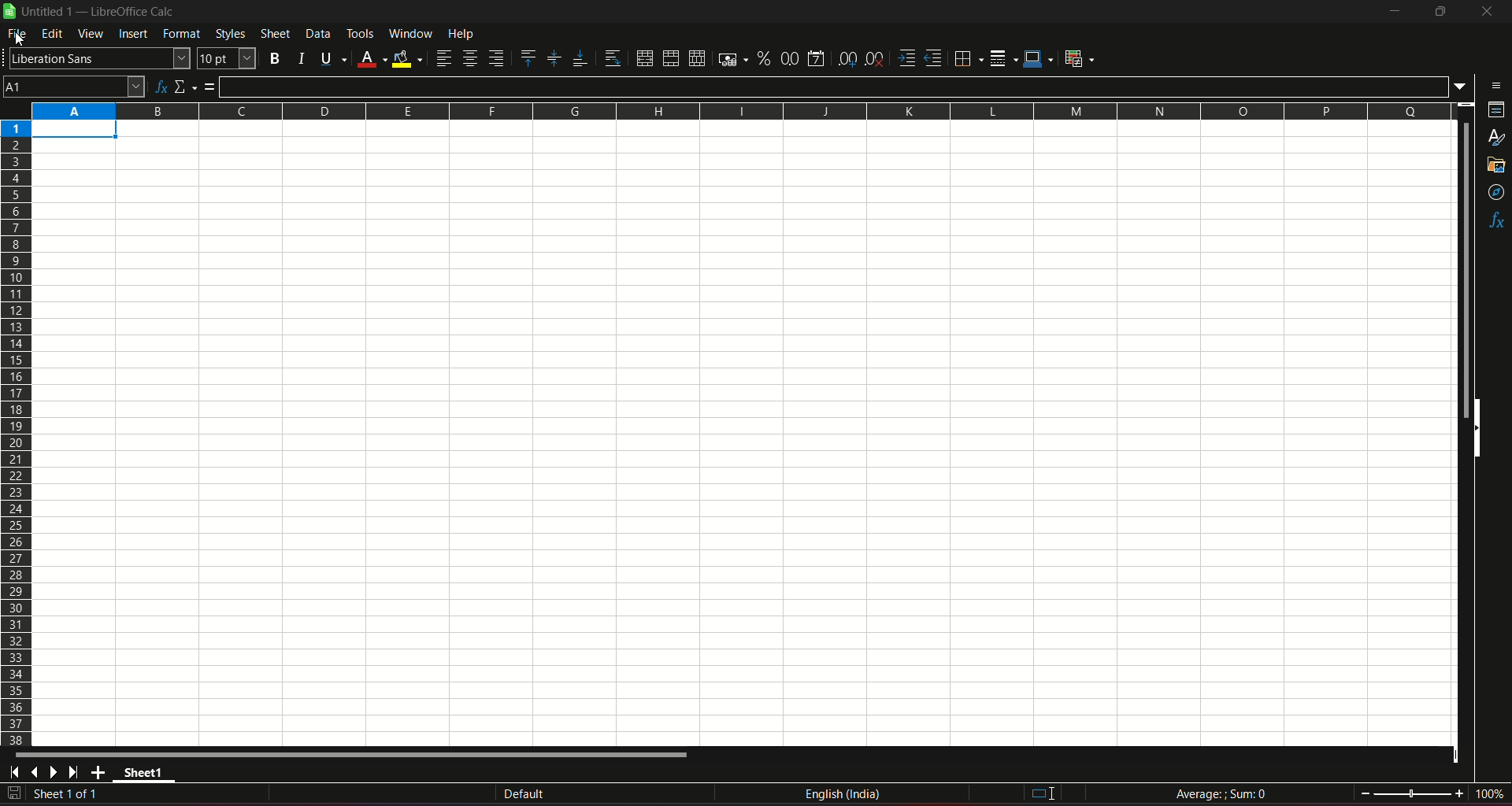 This screenshot has height=806, width=1512. What do you see at coordinates (696, 57) in the screenshot?
I see `unmerge cells` at bounding box center [696, 57].